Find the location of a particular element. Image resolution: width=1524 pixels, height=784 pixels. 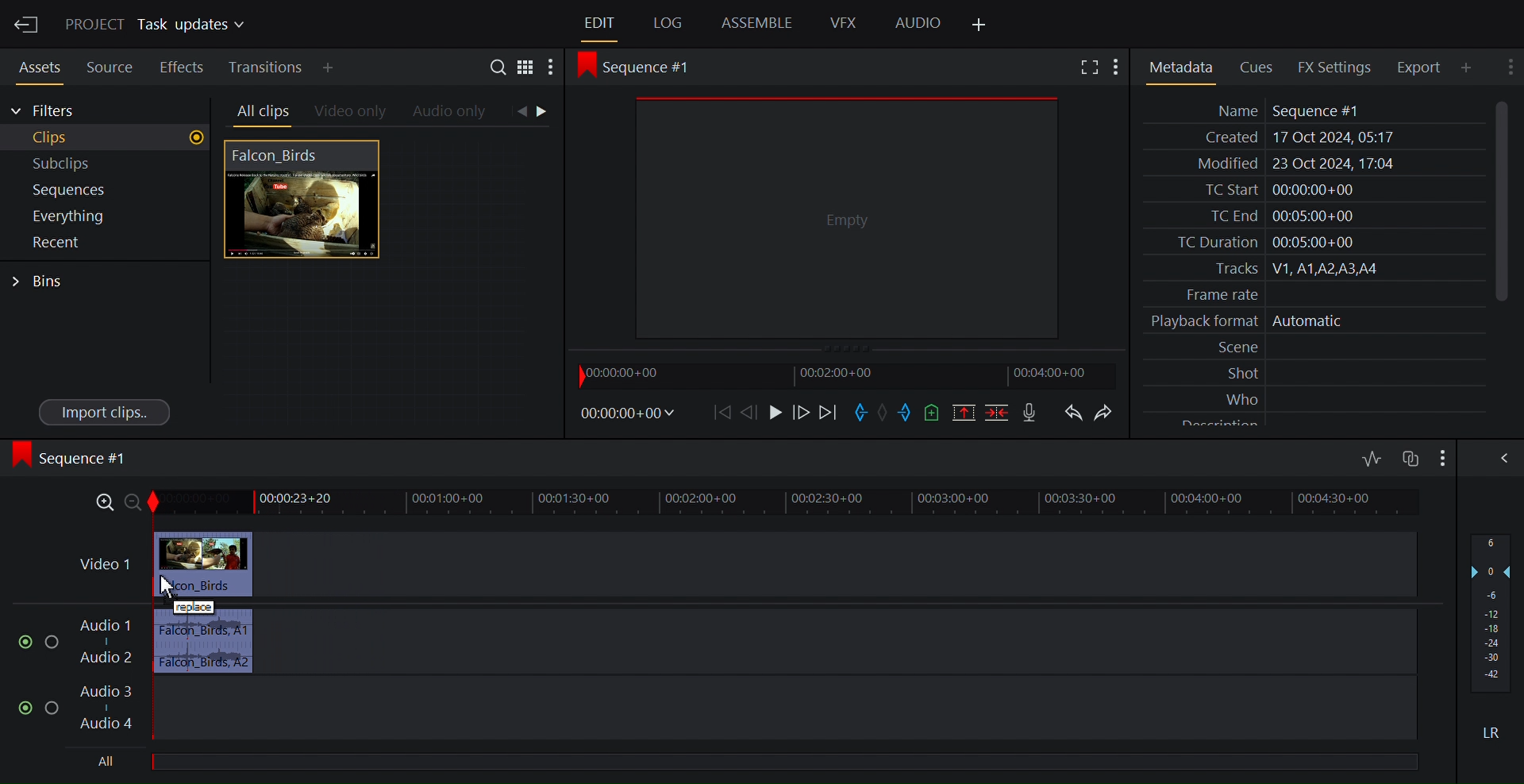

Modified is located at coordinates (1310, 165).